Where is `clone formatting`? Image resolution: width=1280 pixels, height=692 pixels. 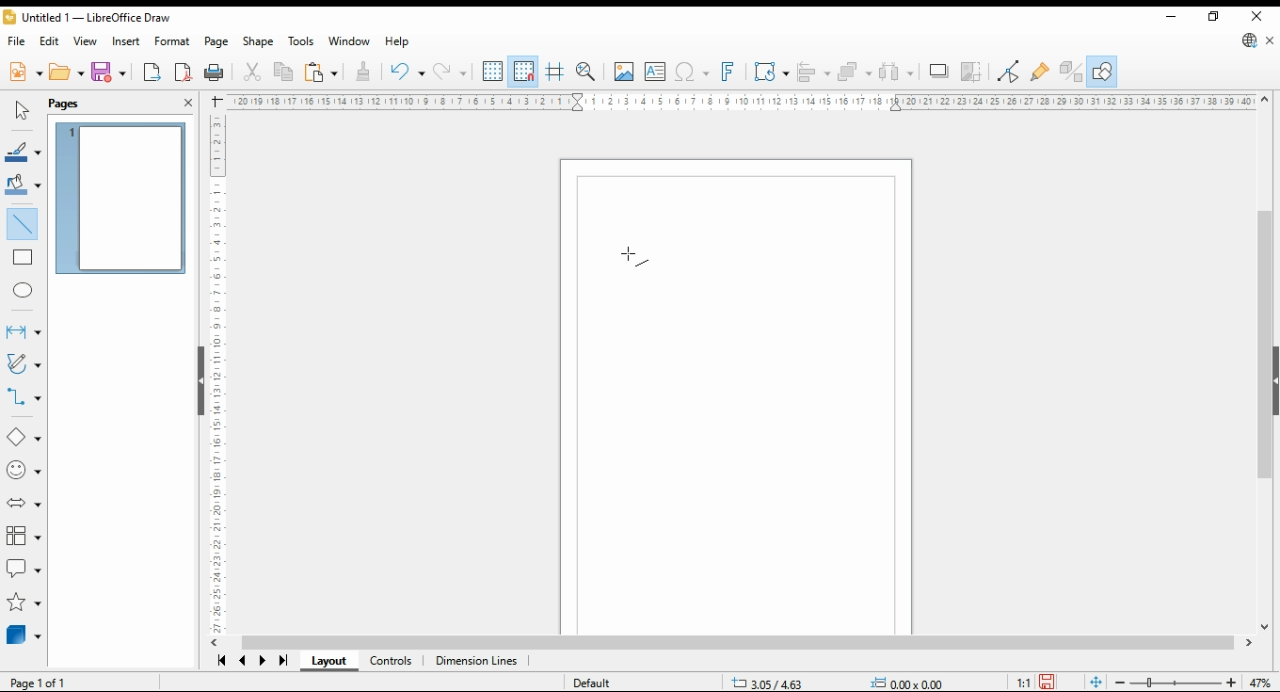
clone formatting is located at coordinates (362, 70).